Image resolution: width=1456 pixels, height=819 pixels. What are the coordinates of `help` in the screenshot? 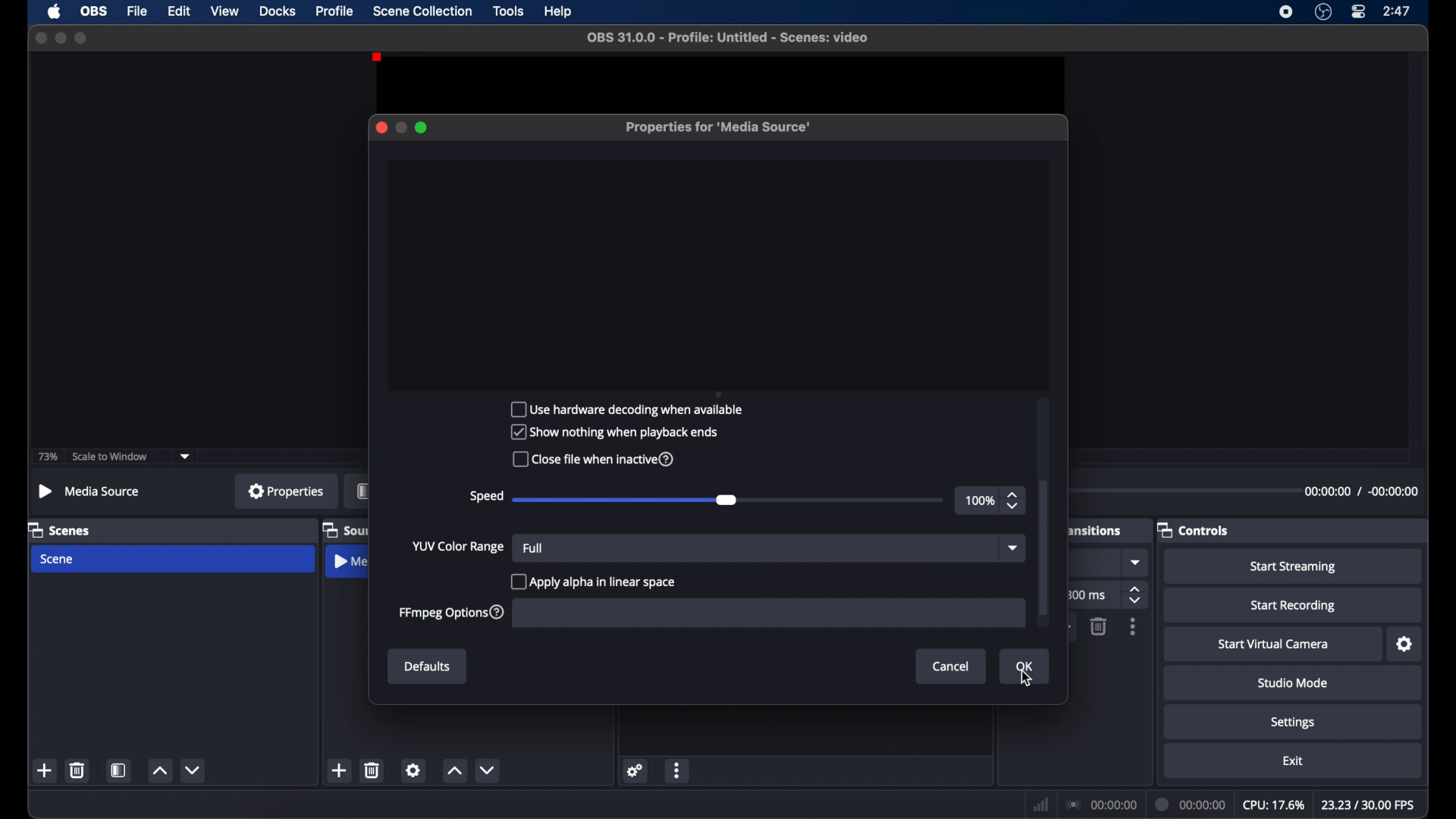 It's located at (559, 12).